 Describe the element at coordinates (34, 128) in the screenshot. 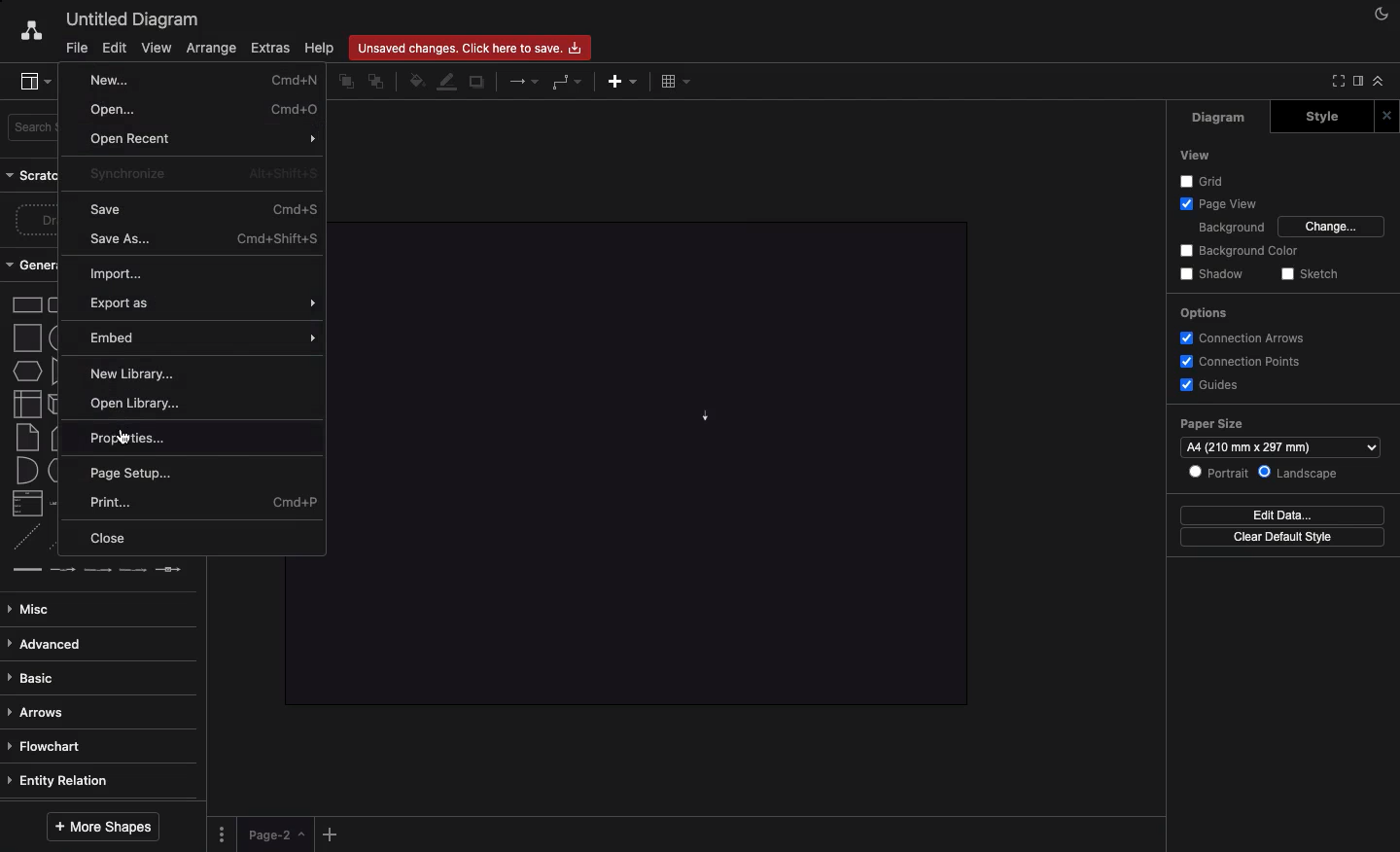

I see `Search shapes` at that location.